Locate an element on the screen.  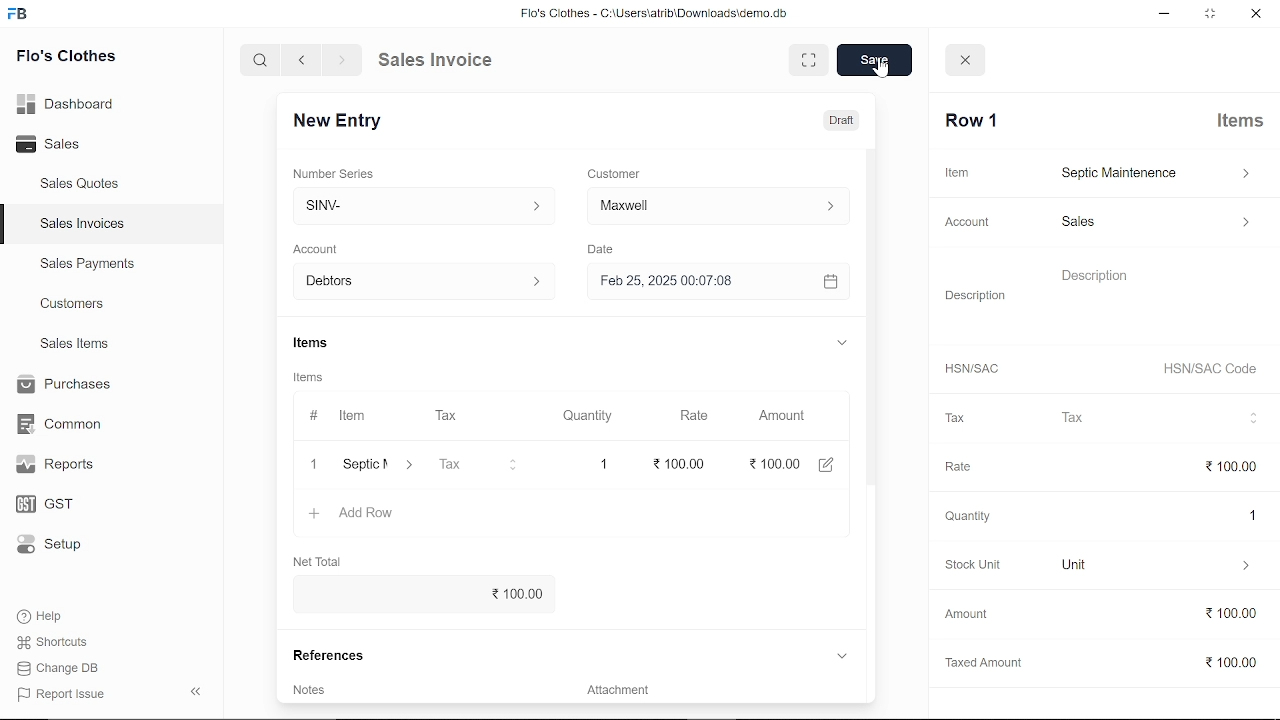
Tax is located at coordinates (954, 419).